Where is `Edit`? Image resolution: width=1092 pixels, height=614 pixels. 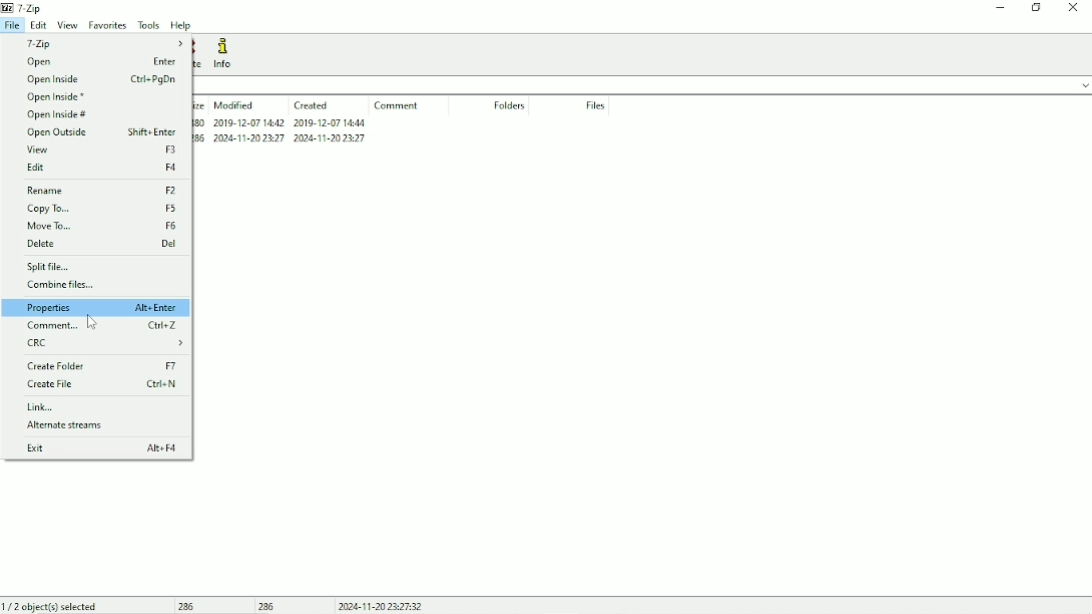
Edit is located at coordinates (103, 168).